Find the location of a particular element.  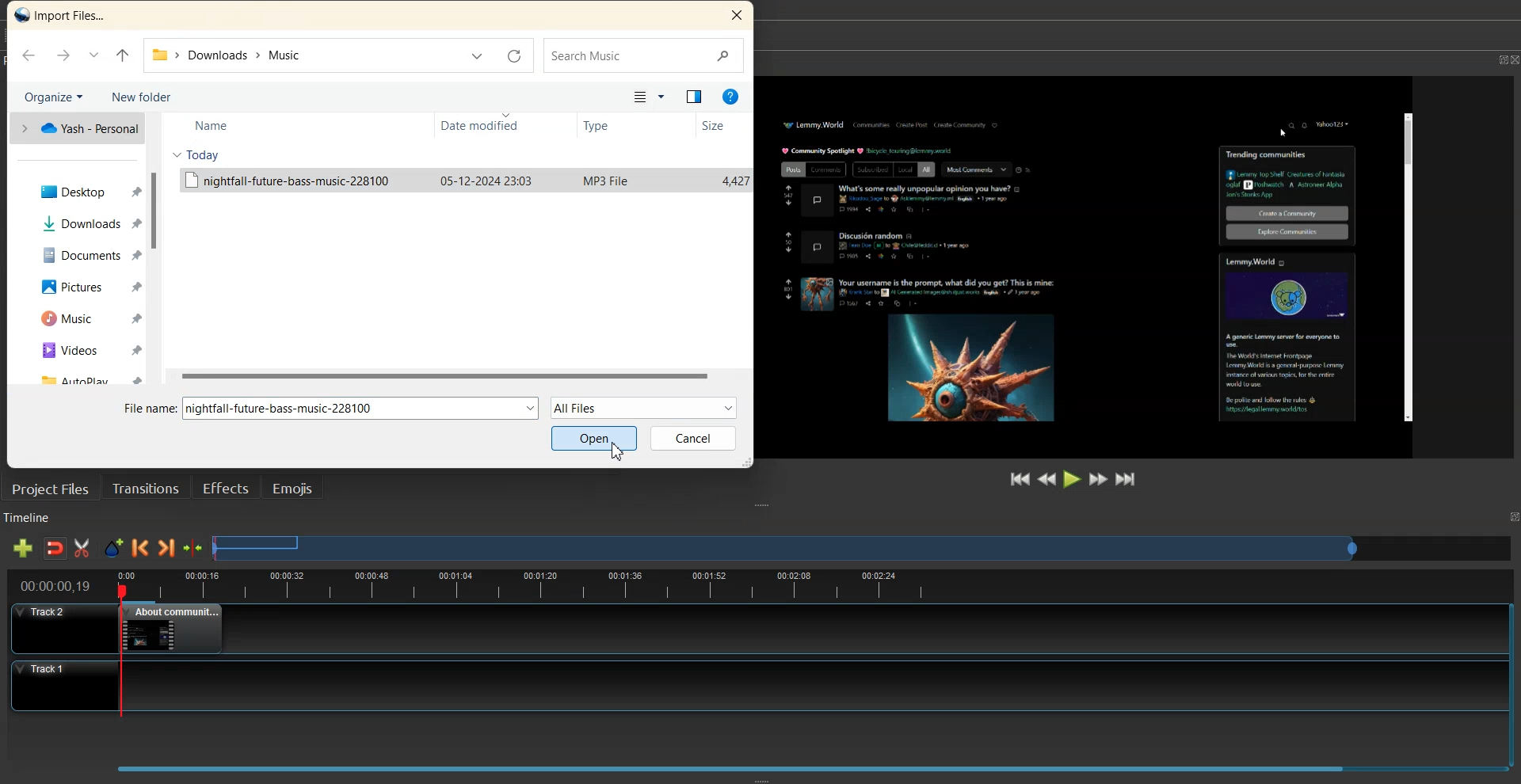

Open is located at coordinates (595, 439).